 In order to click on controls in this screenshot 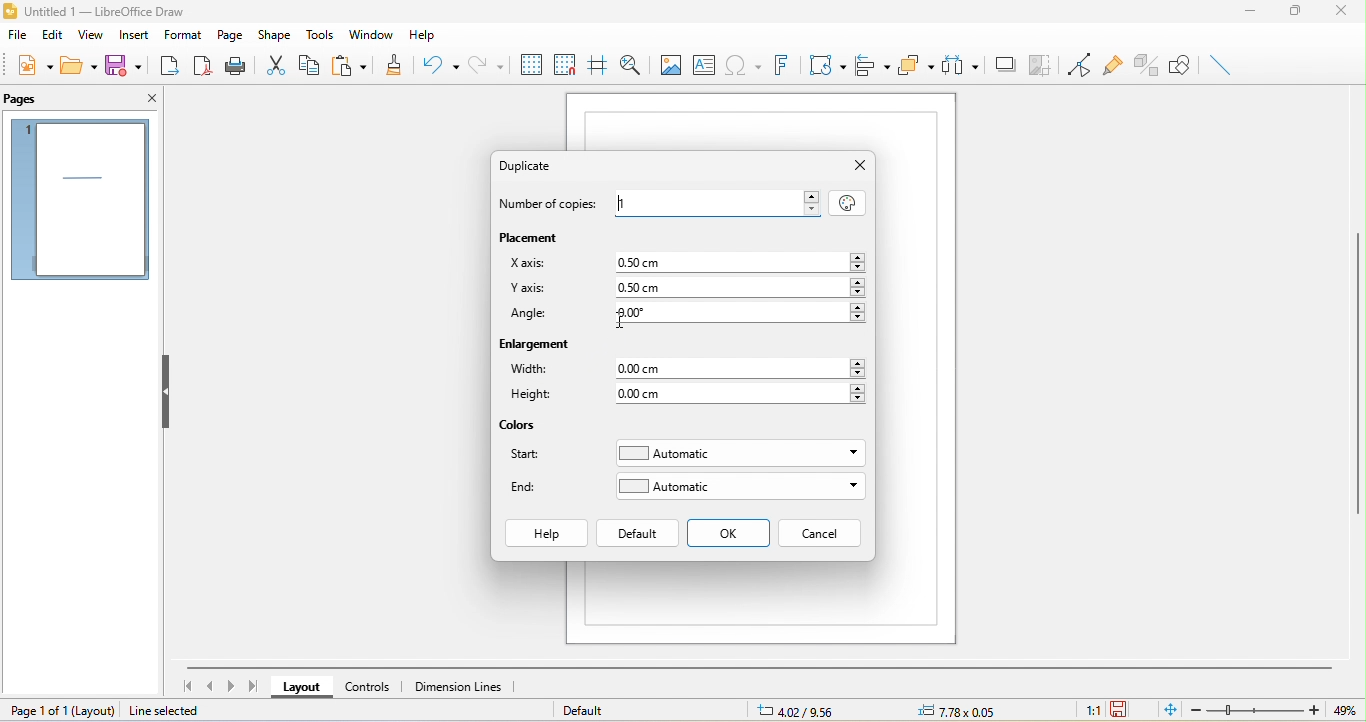, I will do `click(371, 686)`.